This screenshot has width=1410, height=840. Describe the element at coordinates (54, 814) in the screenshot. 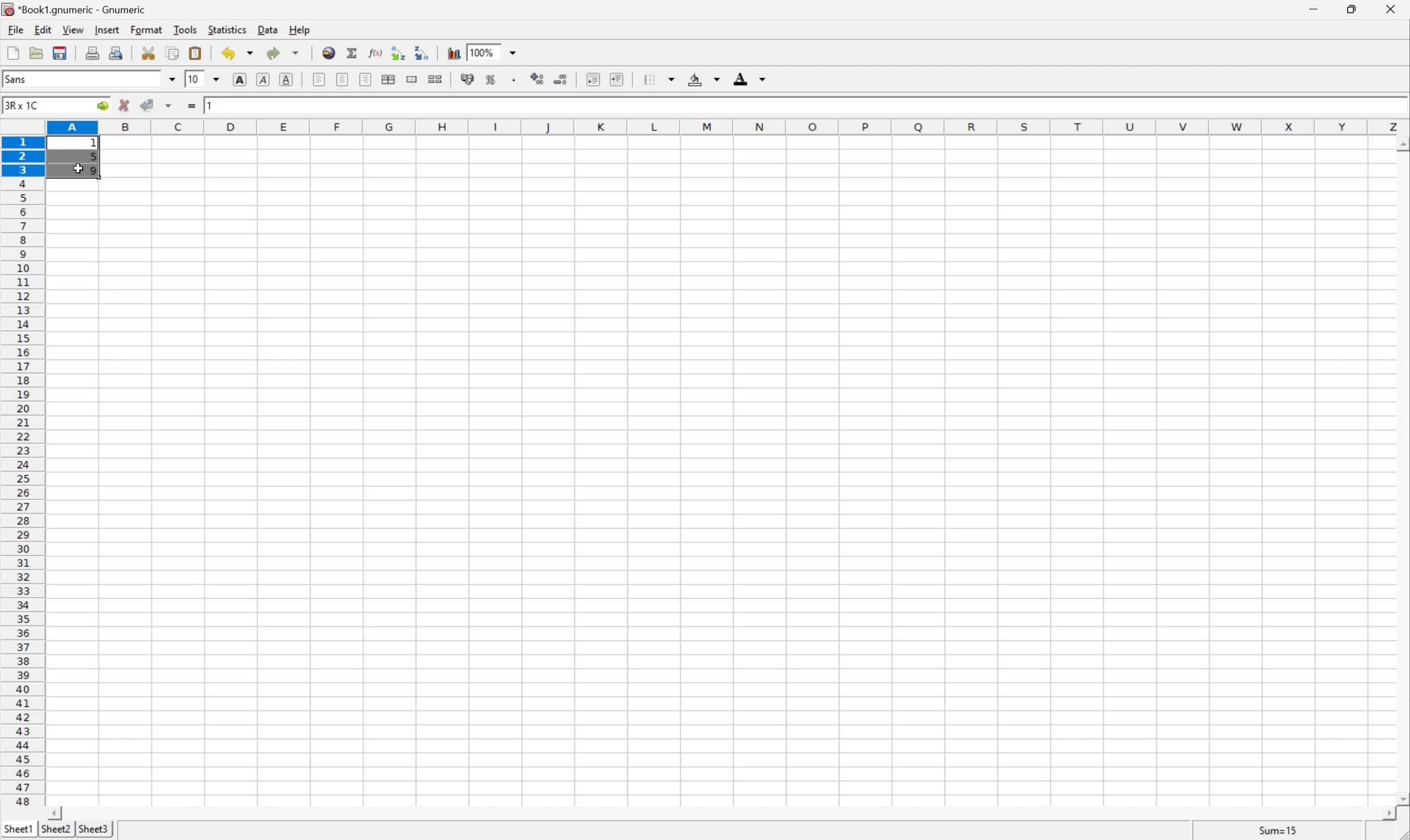

I see `scroll left` at that location.